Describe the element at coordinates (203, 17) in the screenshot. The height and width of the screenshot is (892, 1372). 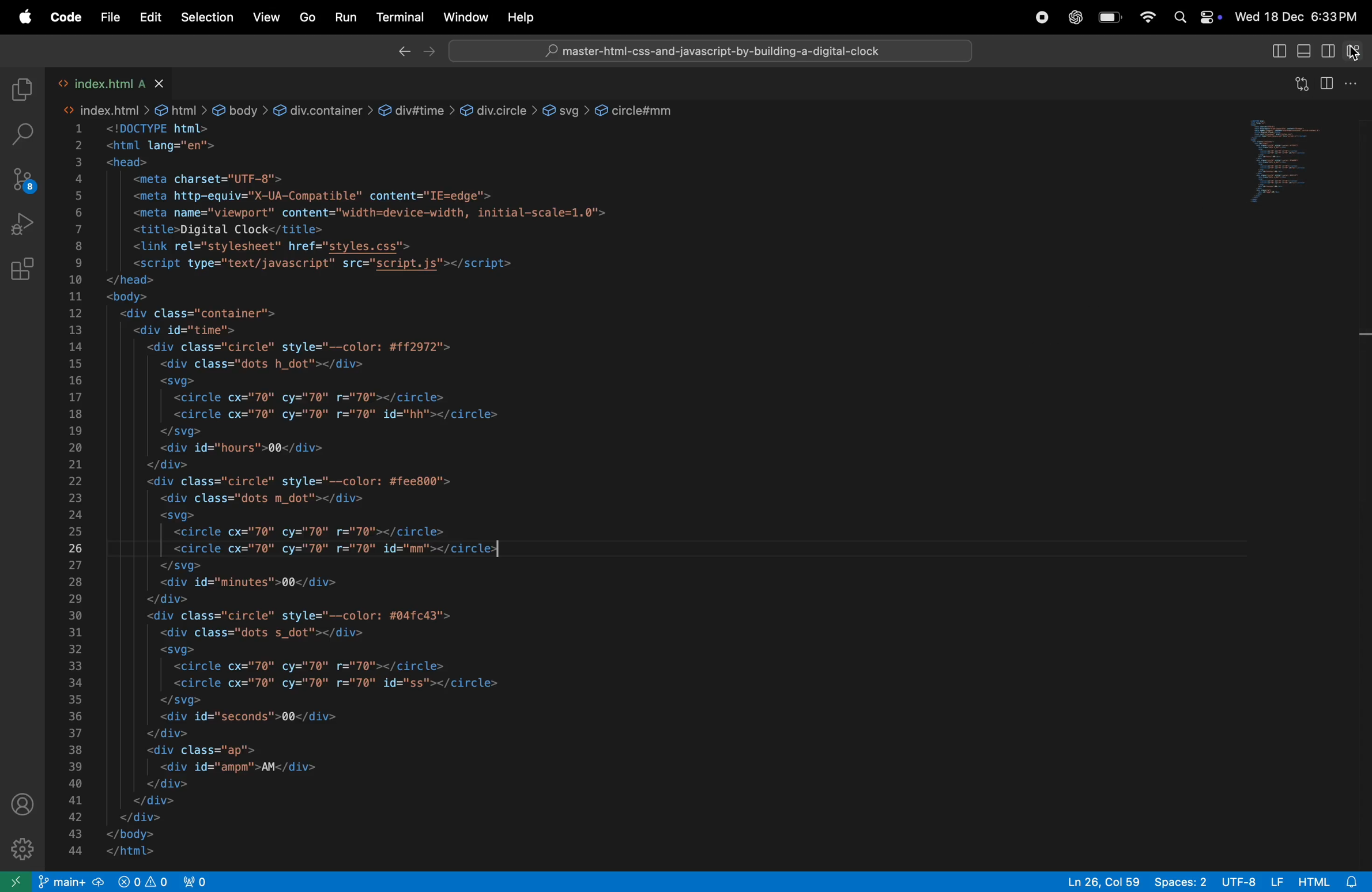
I see `selections` at that location.